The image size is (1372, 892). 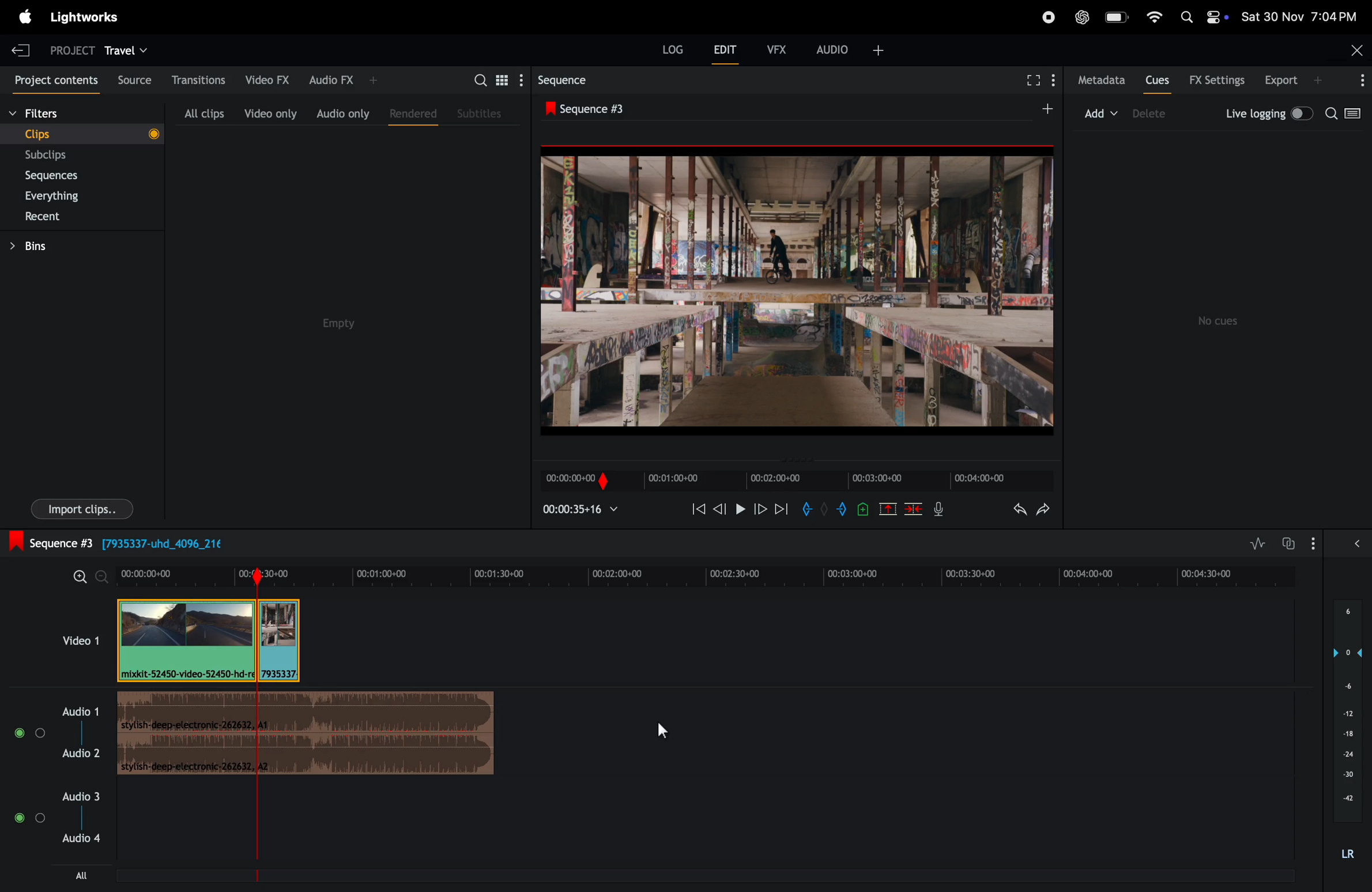 I want to click on apple menu, so click(x=26, y=16).